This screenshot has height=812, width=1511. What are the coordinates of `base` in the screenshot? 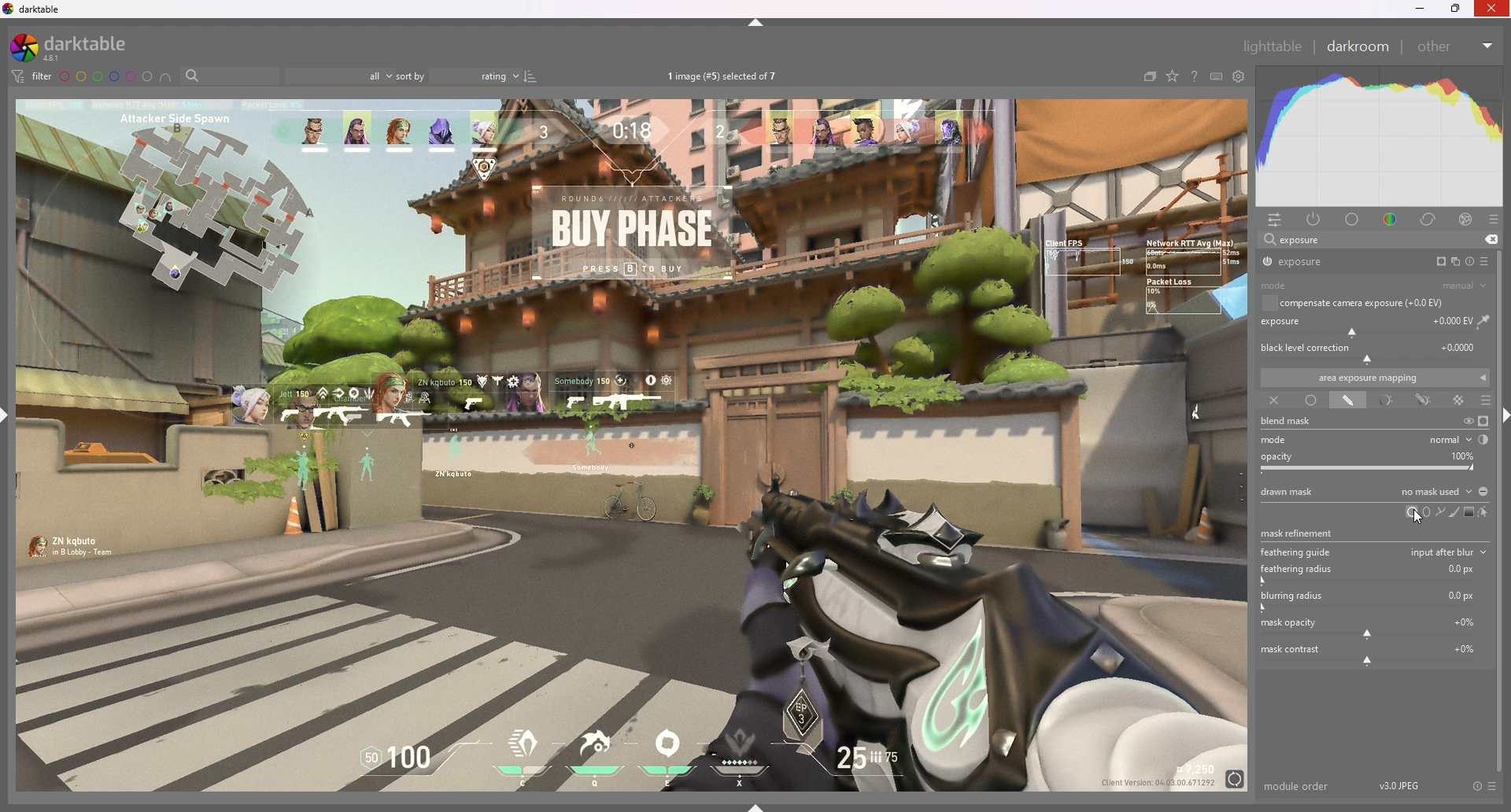 It's located at (1353, 220).